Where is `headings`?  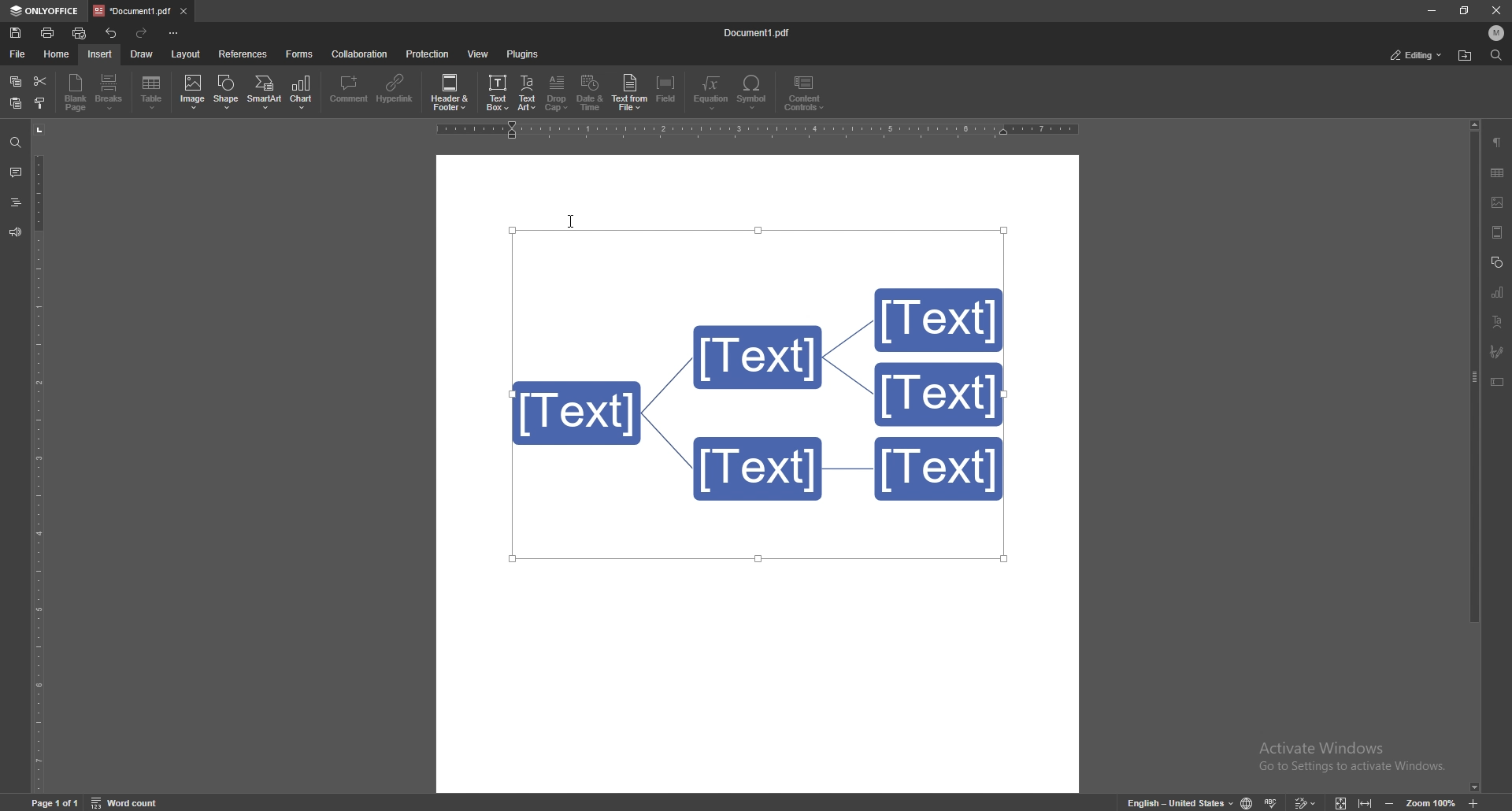
headings is located at coordinates (16, 202).